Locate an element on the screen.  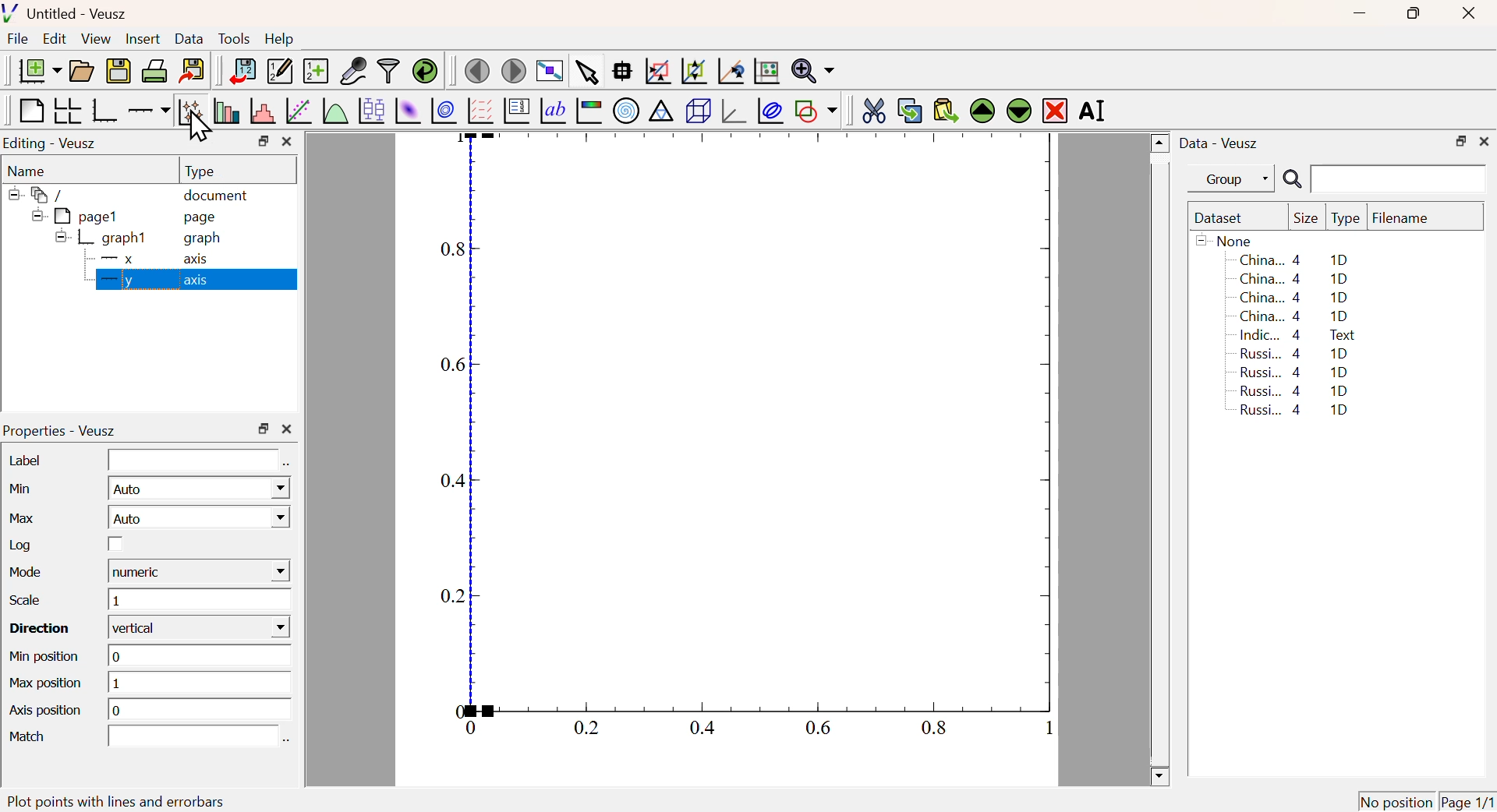
Close is located at coordinates (1485, 139).